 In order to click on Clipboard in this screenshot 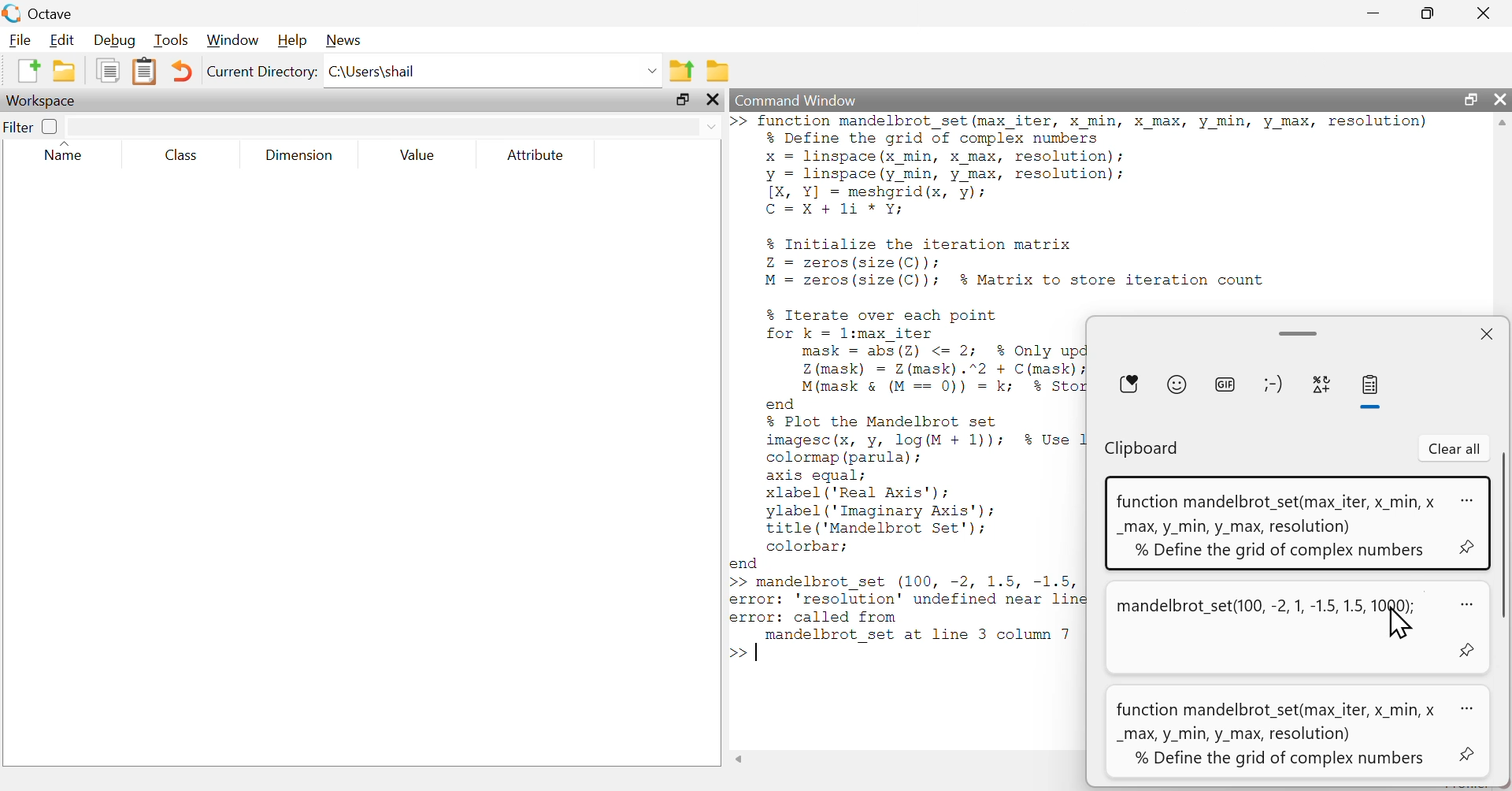, I will do `click(1141, 448)`.